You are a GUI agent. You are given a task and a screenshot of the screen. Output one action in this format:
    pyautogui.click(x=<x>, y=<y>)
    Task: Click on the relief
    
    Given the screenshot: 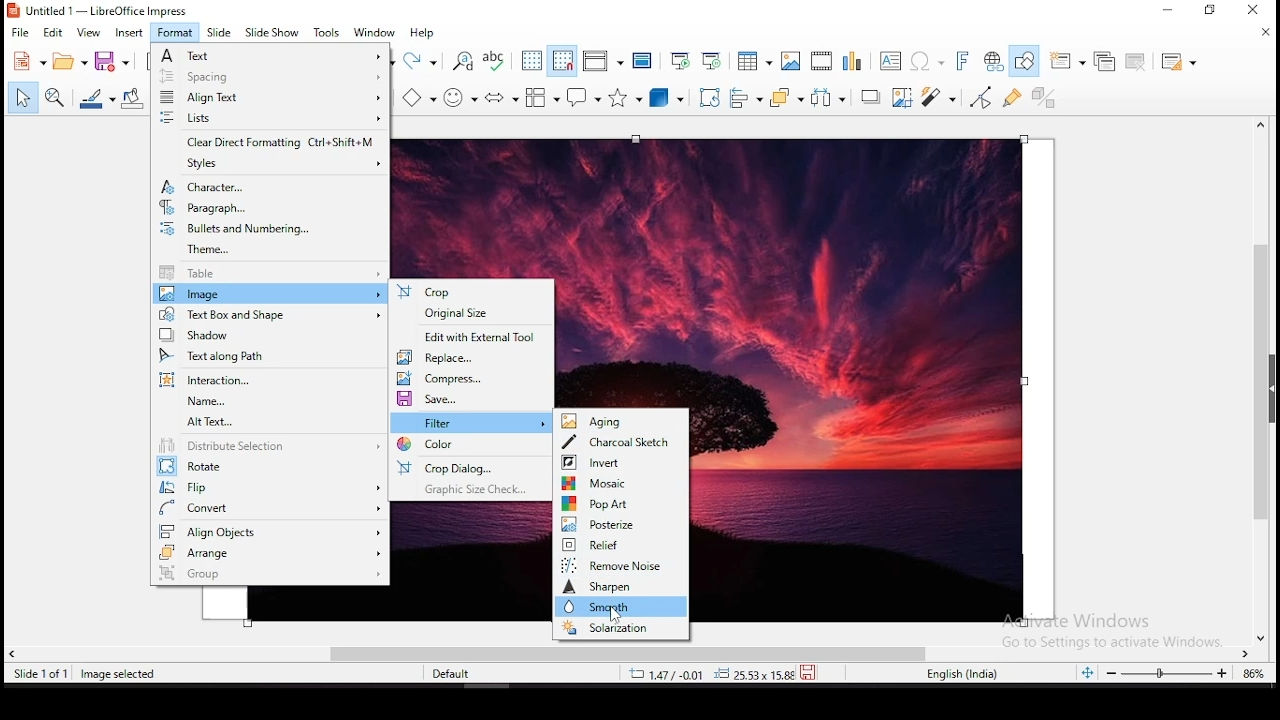 What is the action you would take?
    pyautogui.click(x=623, y=545)
    